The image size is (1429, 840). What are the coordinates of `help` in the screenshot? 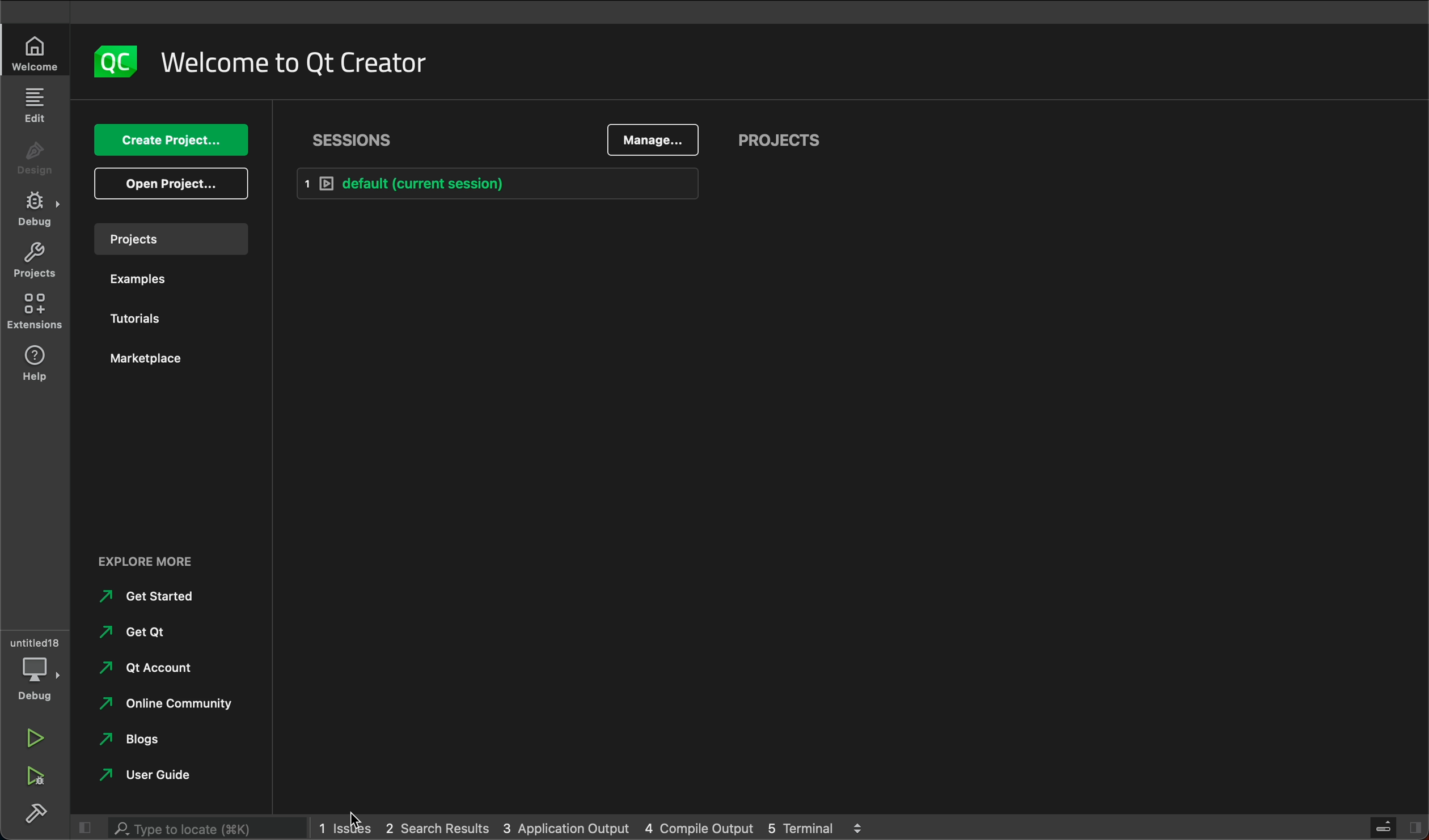 It's located at (40, 362).